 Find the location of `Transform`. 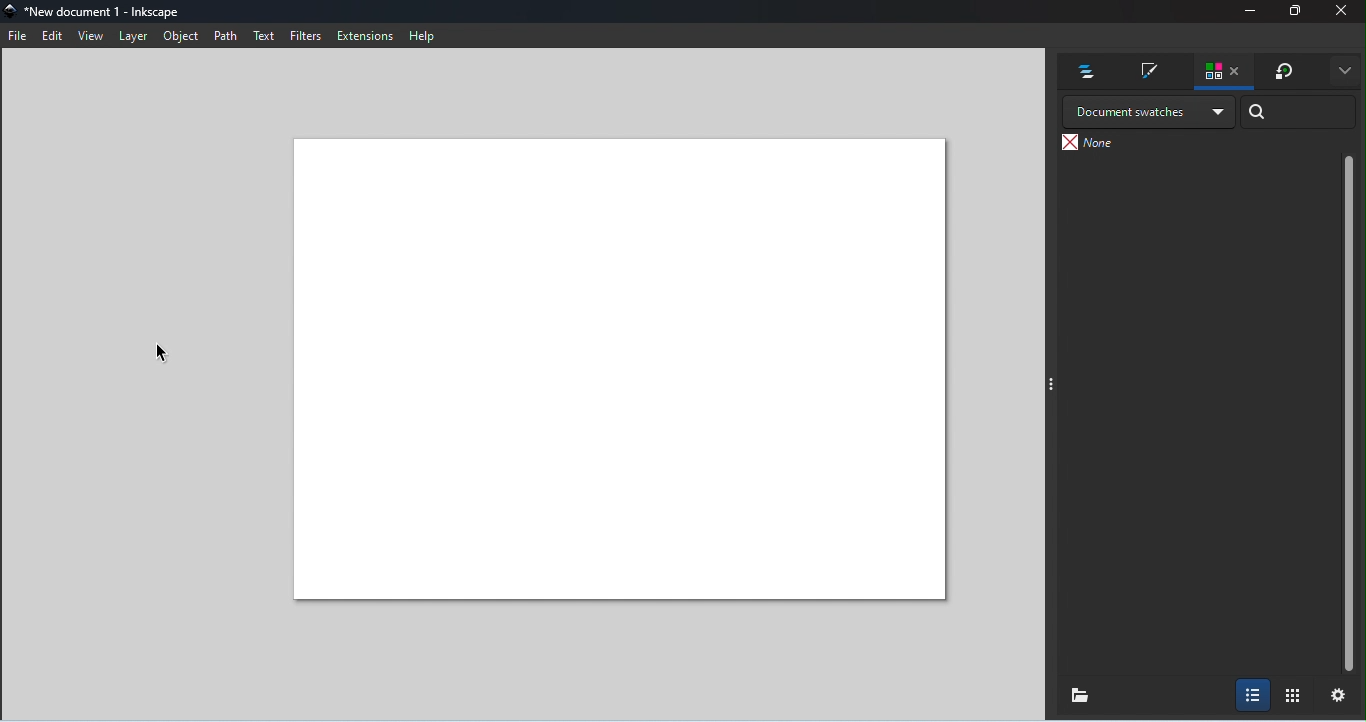

Transform is located at coordinates (1285, 71).